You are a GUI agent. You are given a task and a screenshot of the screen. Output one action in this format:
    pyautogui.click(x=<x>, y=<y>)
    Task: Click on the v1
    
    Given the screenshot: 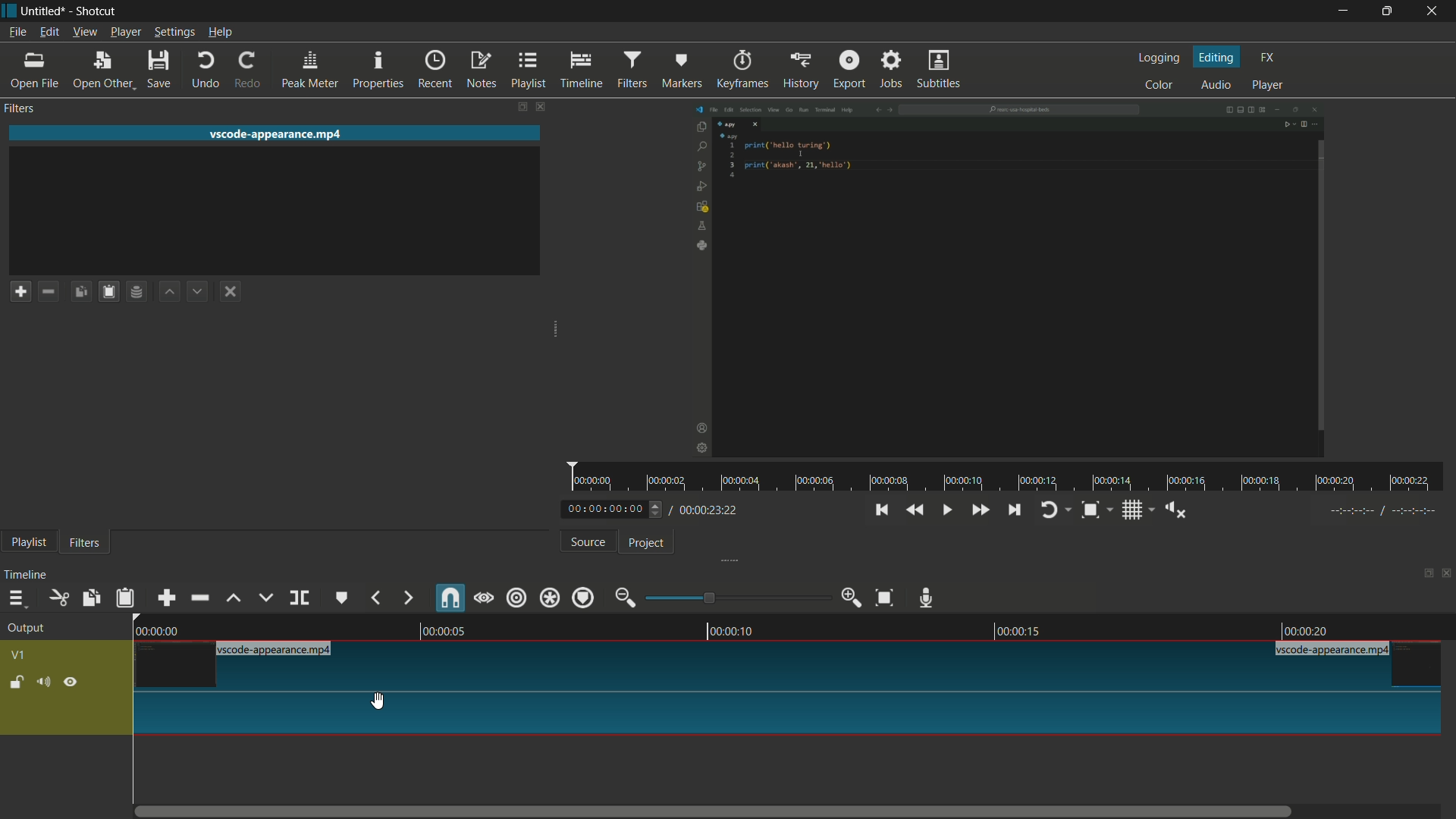 What is the action you would take?
    pyautogui.click(x=19, y=657)
    